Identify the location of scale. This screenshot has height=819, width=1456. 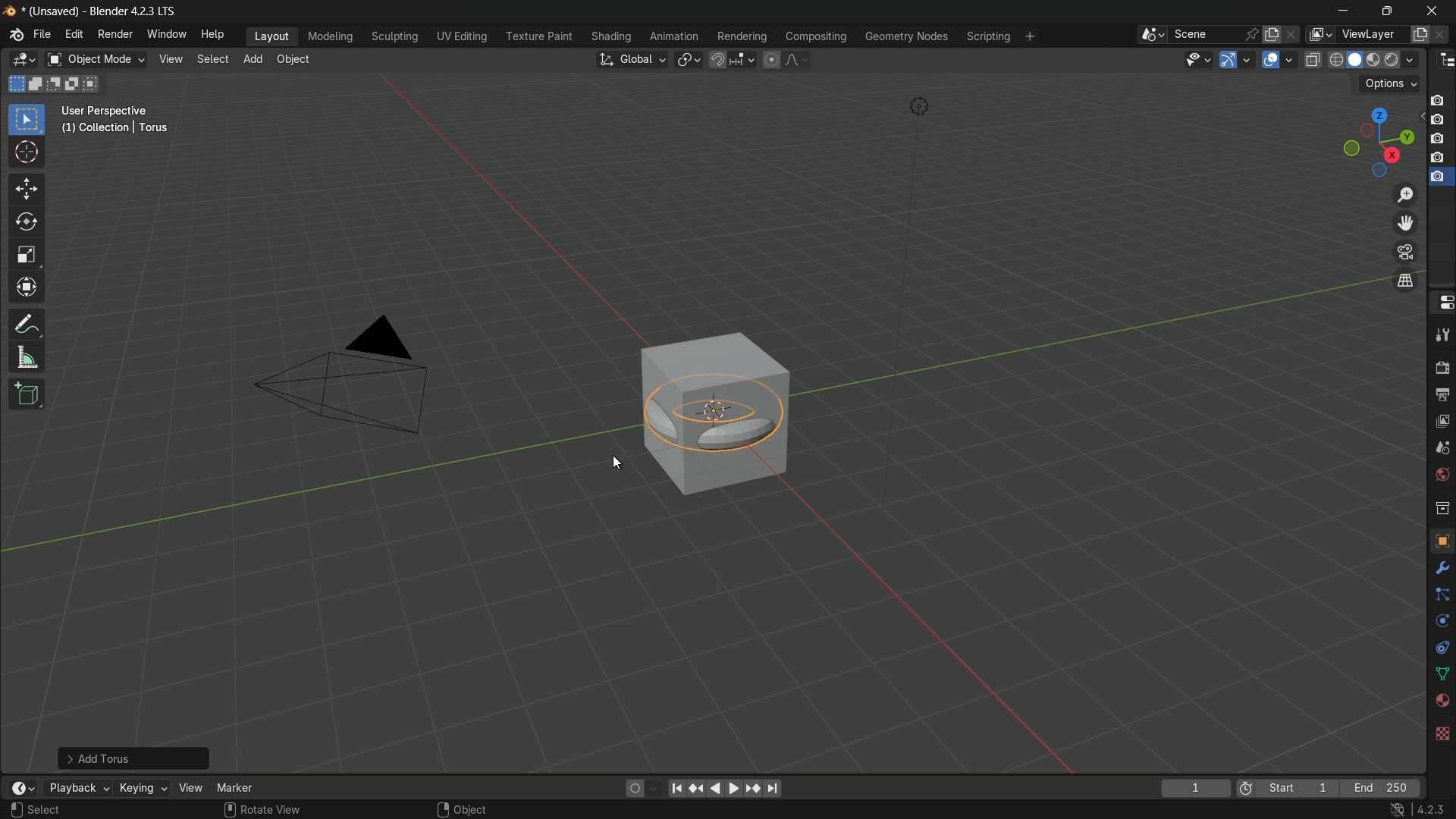
(27, 256).